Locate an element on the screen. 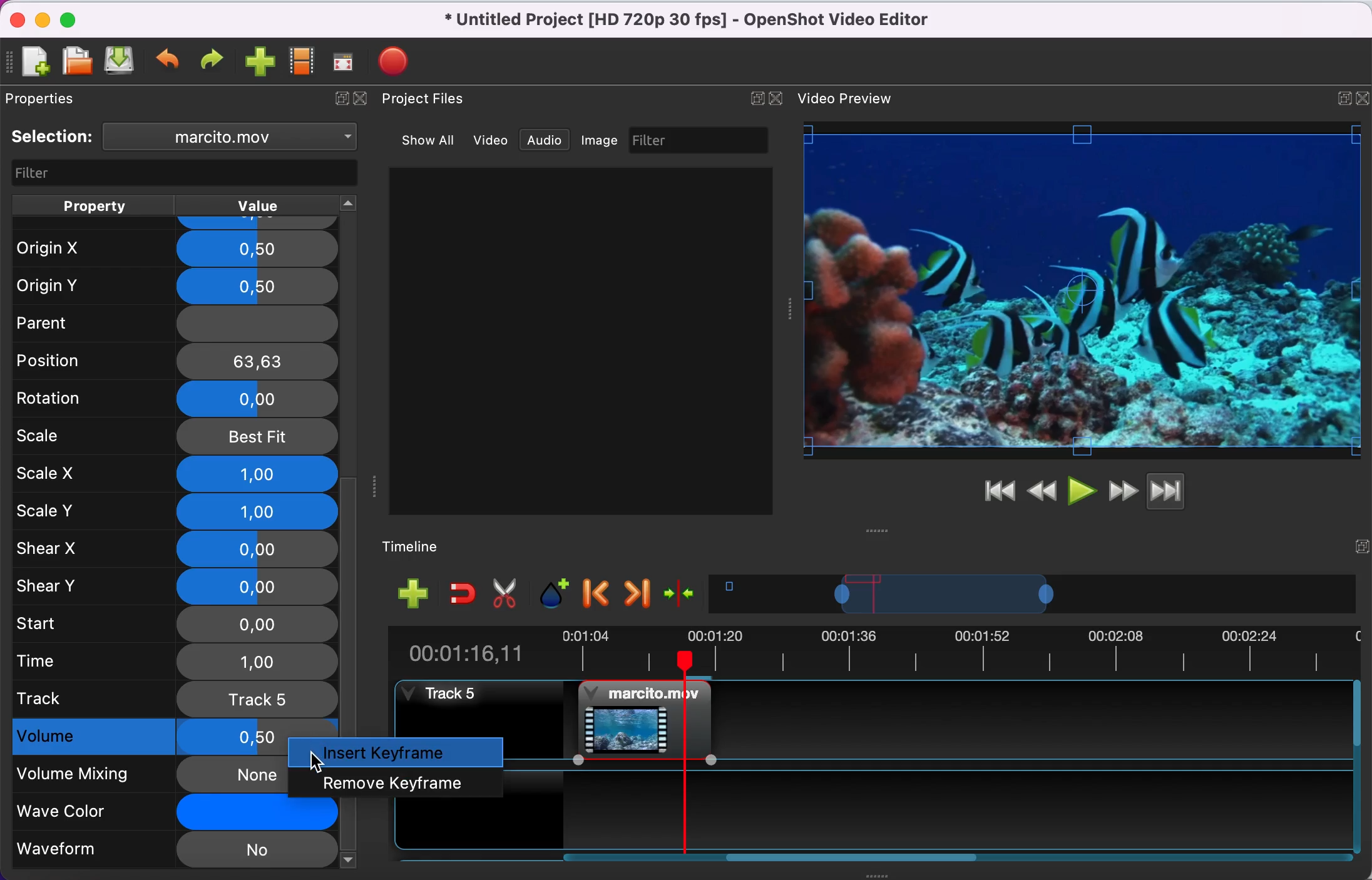  video is located at coordinates (491, 140).